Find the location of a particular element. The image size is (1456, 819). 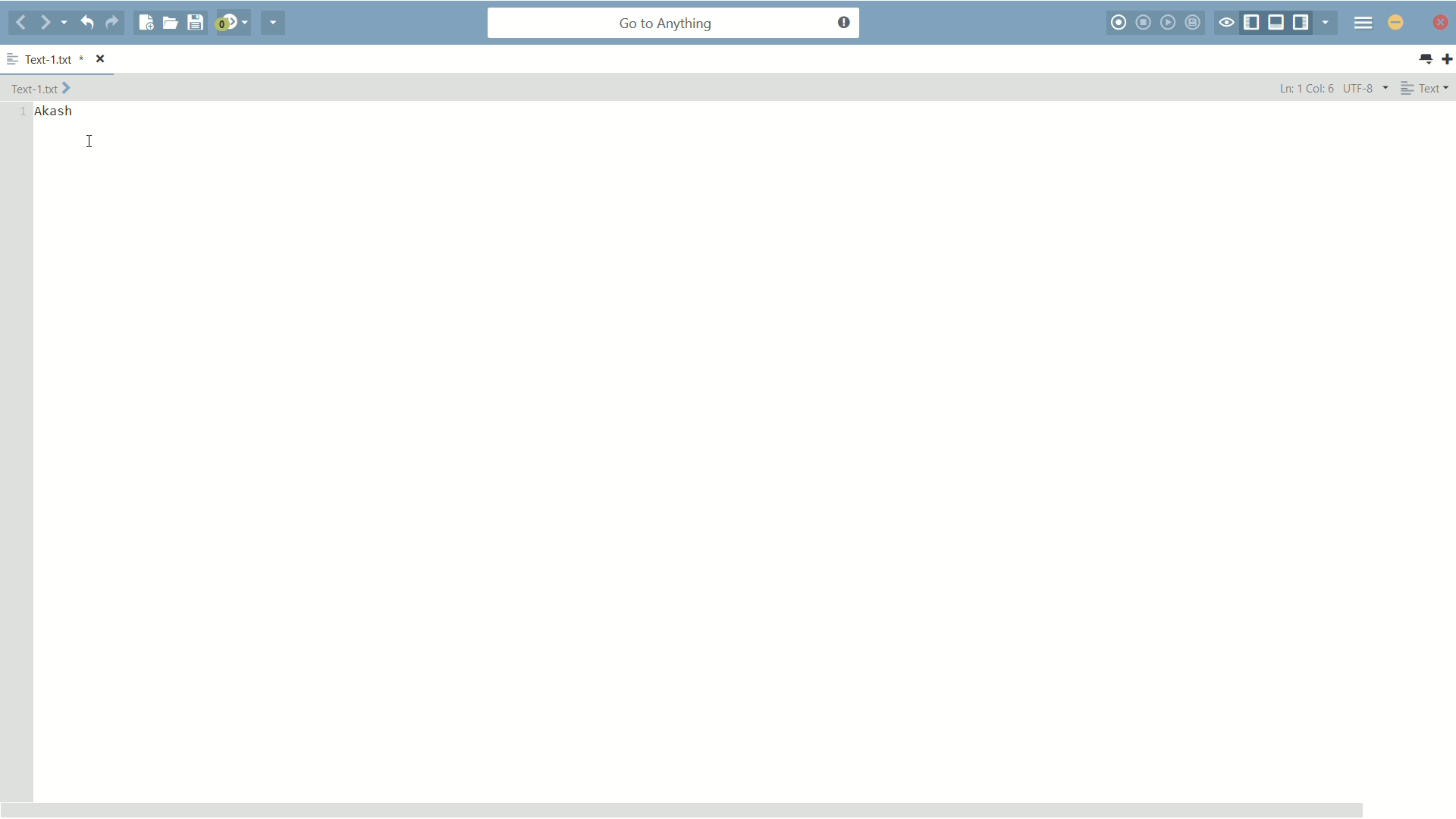

go to anything search bar is located at coordinates (674, 24).